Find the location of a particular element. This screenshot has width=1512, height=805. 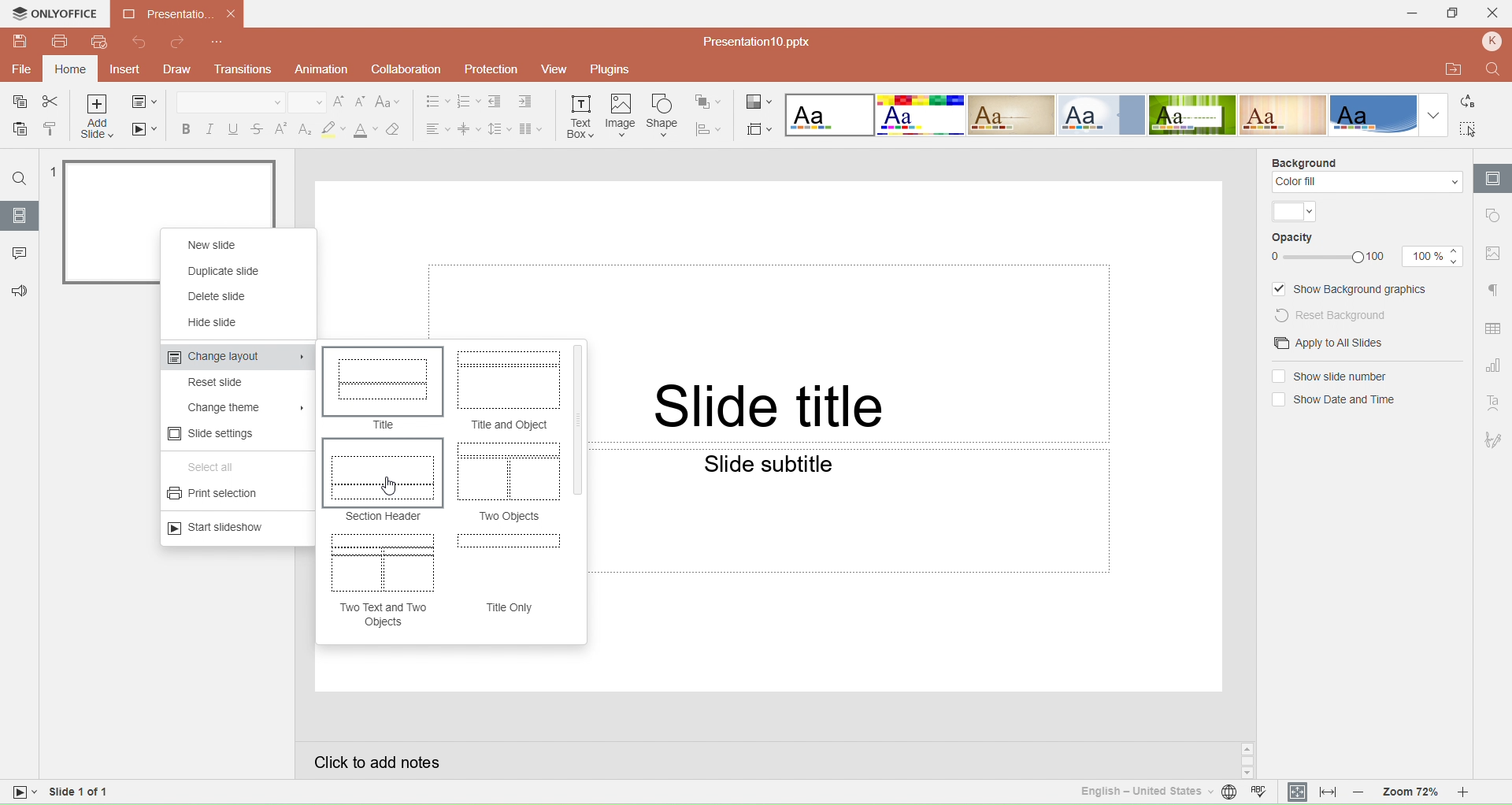

Transitions is located at coordinates (246, 70).